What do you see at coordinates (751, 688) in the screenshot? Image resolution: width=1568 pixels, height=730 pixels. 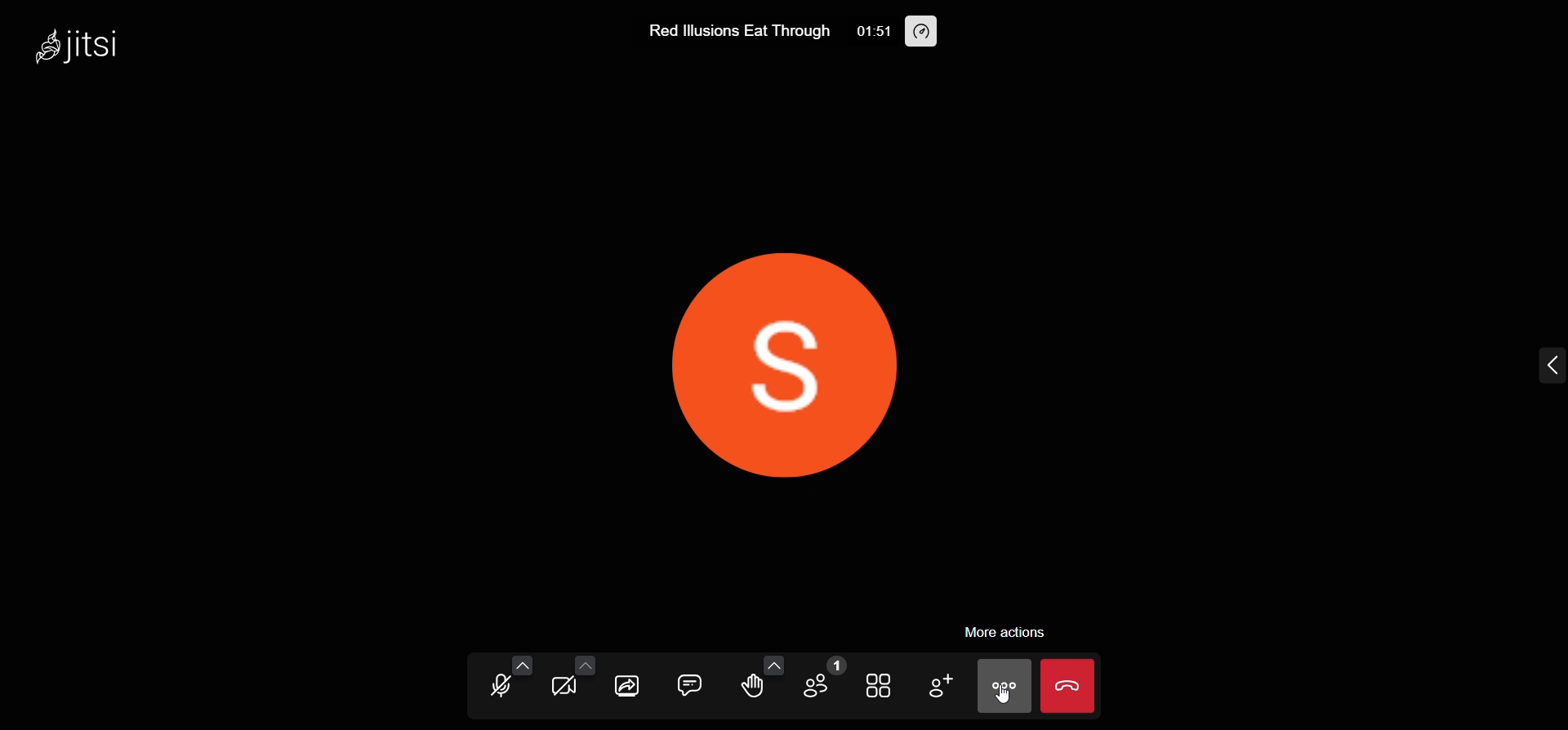 I see `raise hand` at bounding box center [751, 688].